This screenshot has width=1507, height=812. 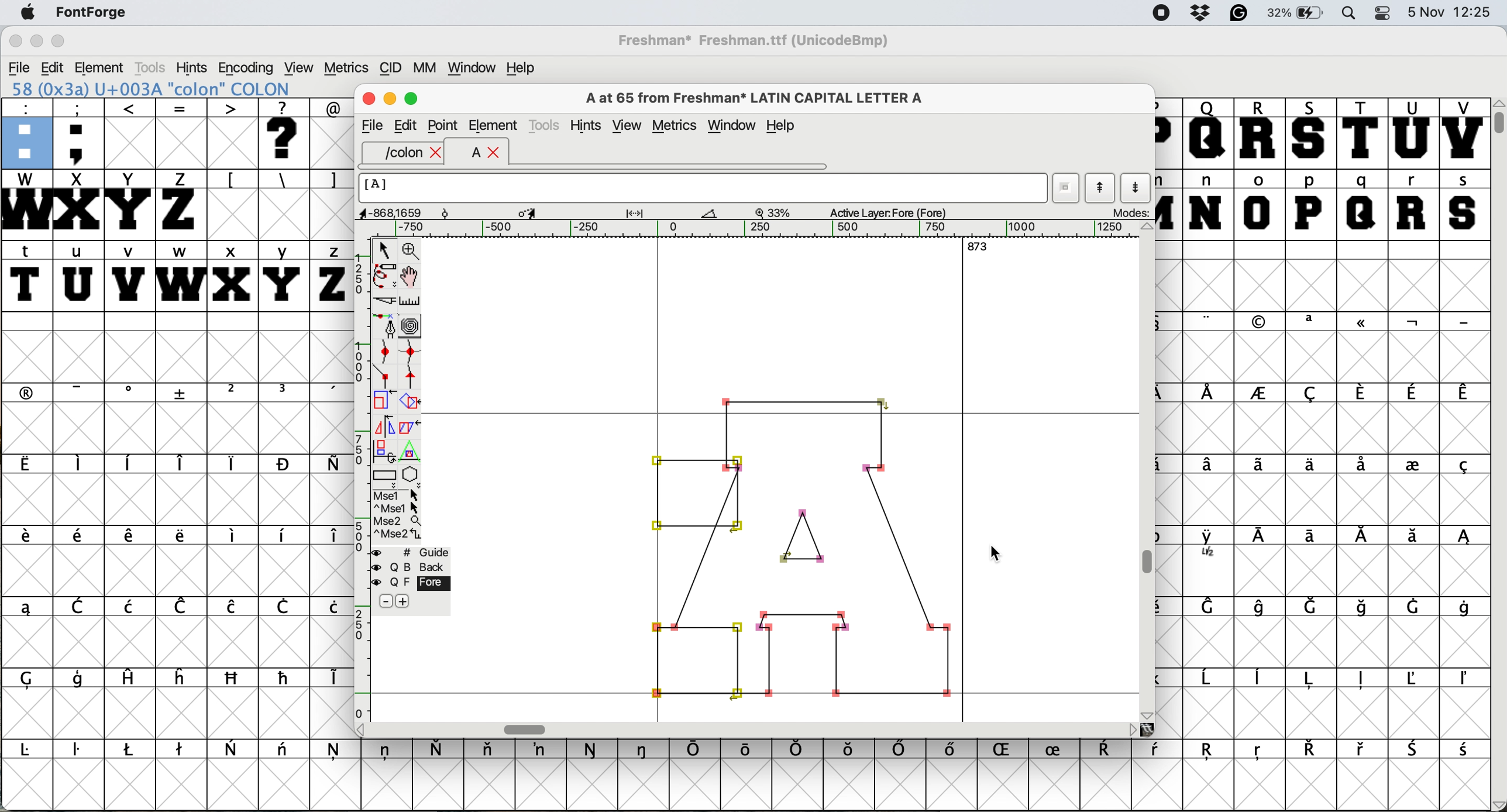 What do you see at coordinates (1059, 748) in the screenshot?
I see `symbol` at bounding box center [1059, 748].